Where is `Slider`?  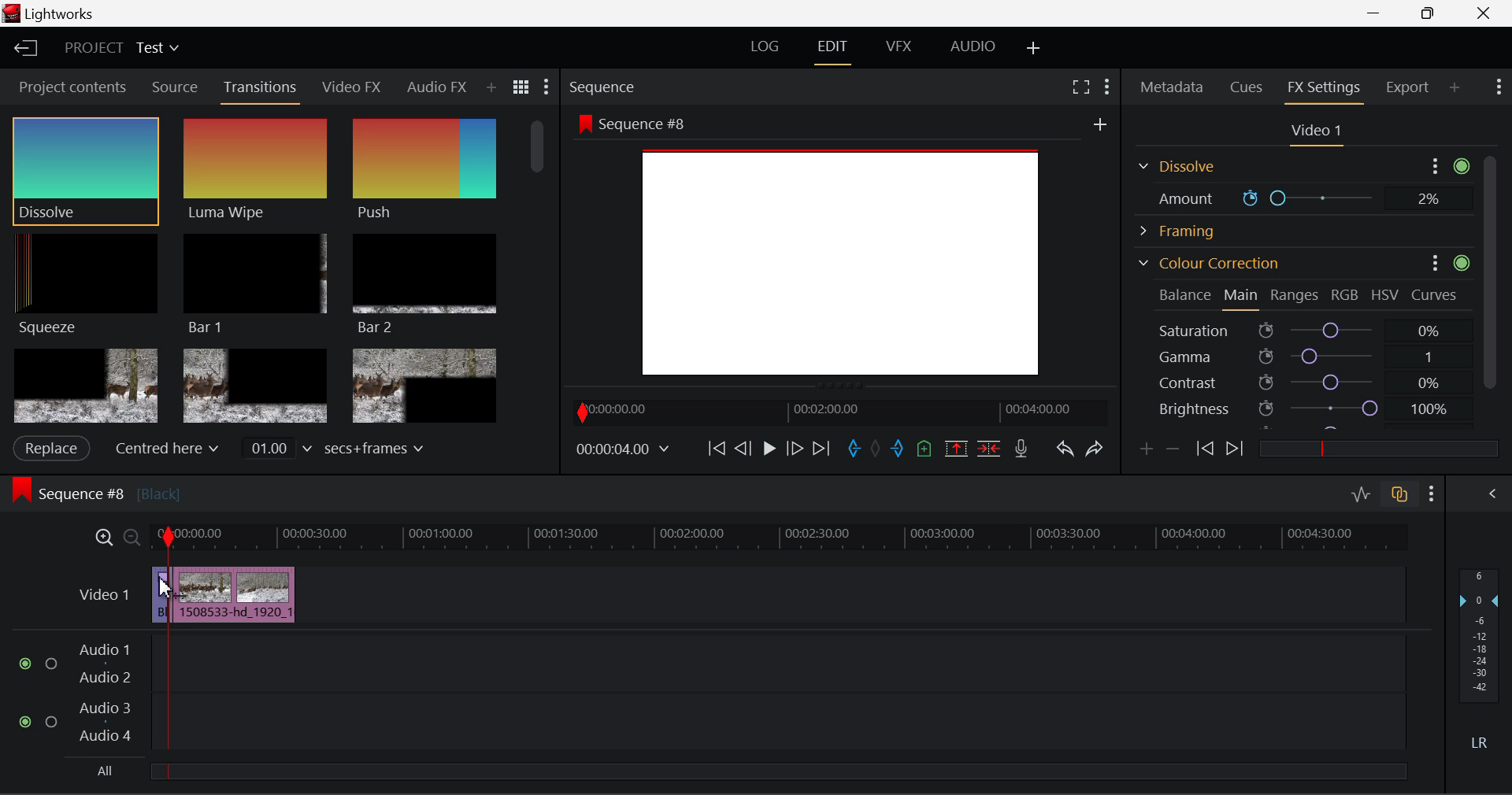 Slider is located at coordinates (536, 152).